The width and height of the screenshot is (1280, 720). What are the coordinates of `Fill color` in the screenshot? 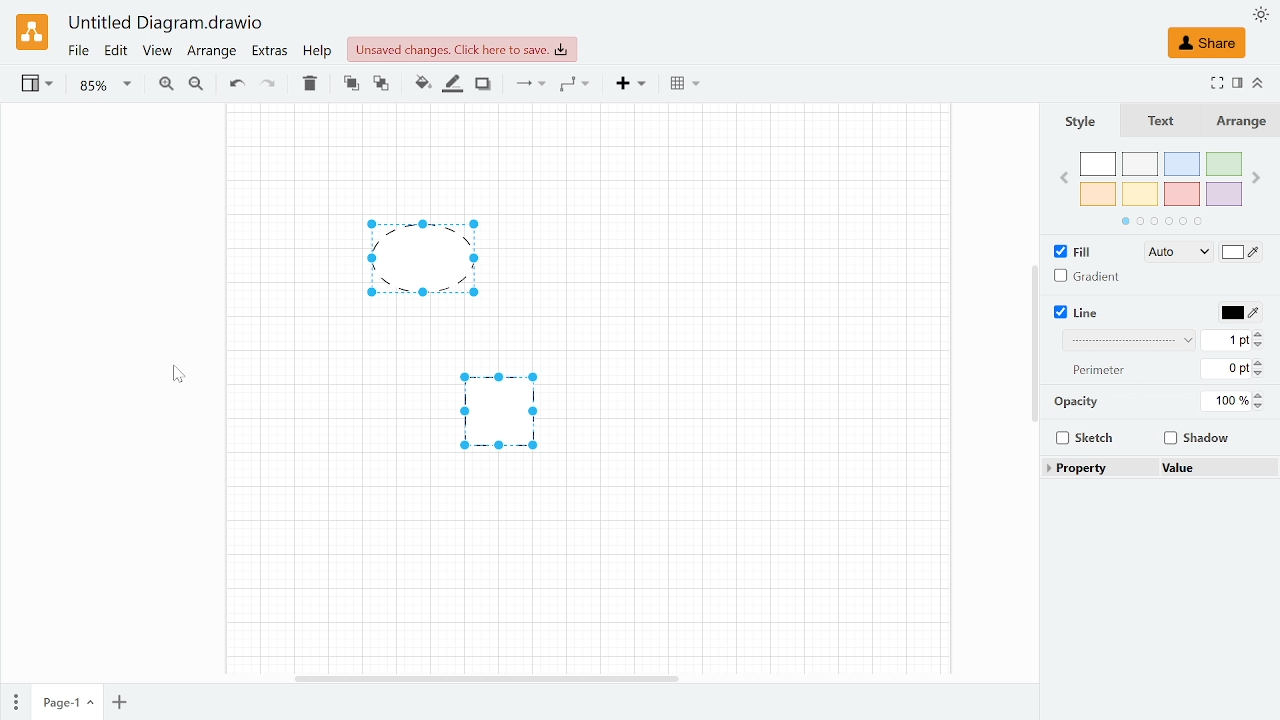 It's located at (1242, 254).